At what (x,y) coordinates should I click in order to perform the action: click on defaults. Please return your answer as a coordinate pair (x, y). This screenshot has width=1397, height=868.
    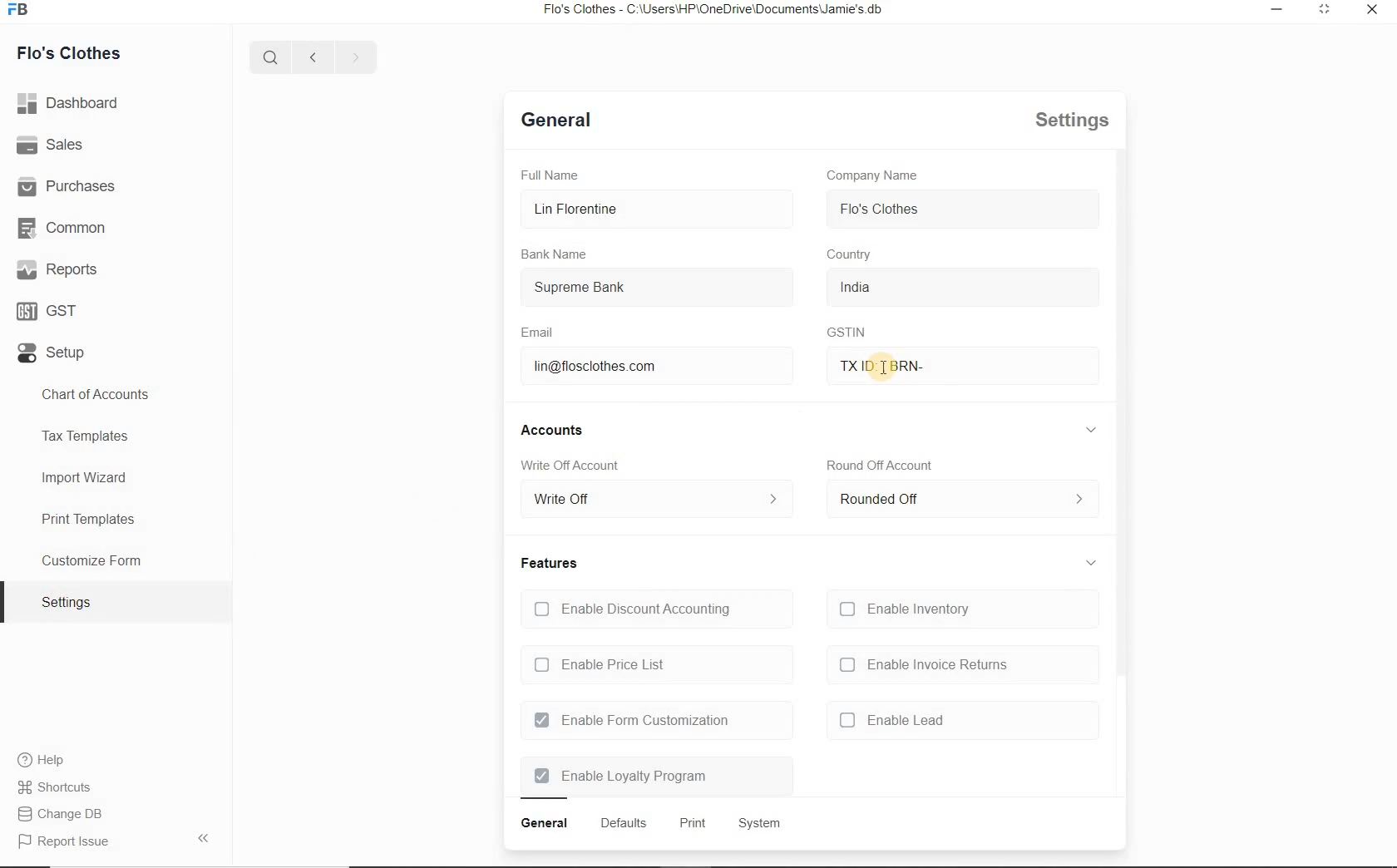
    Looking at the image, I should click on (623, 823).